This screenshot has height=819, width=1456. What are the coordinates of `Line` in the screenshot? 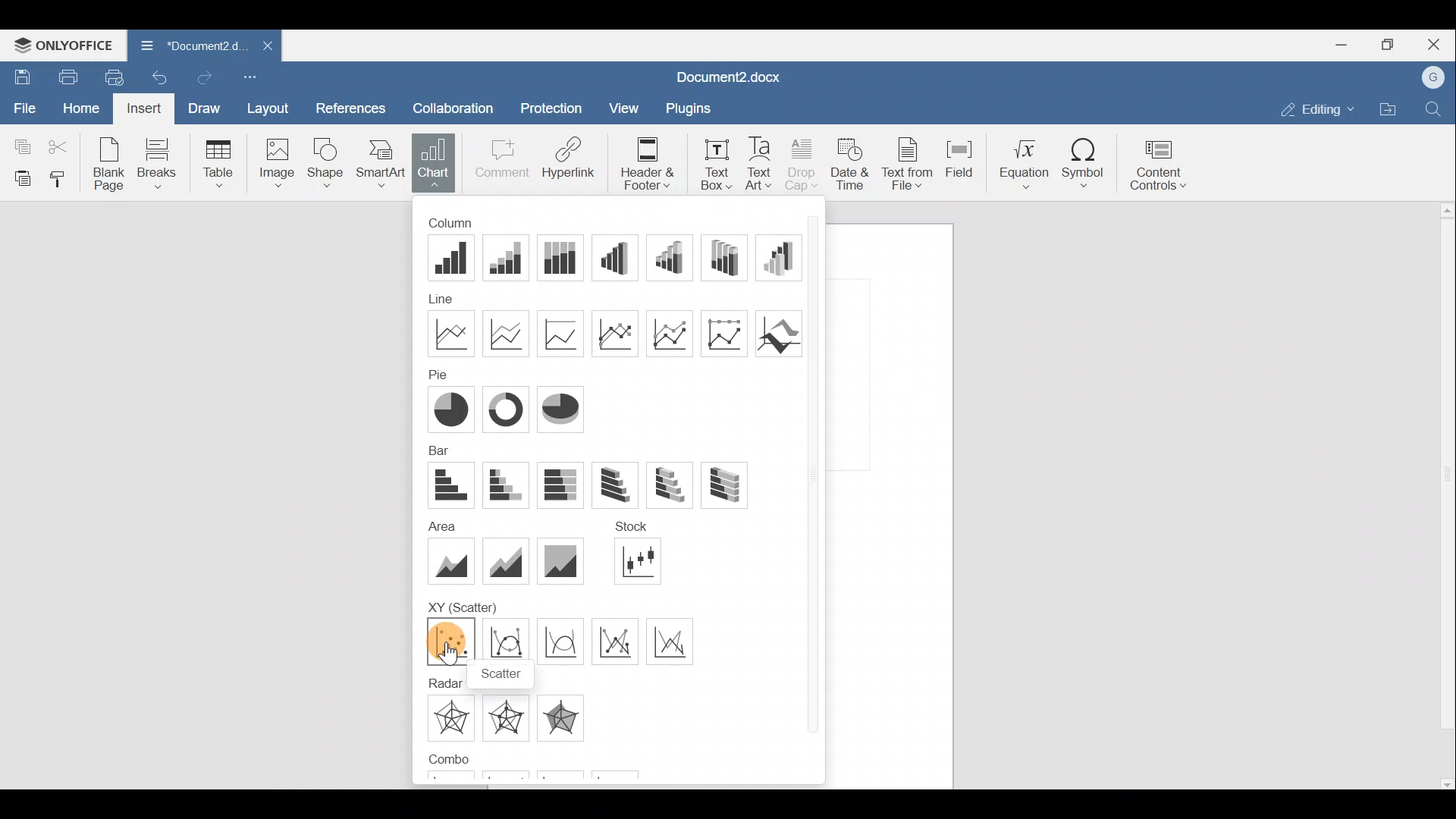 It's located at (451, 332).